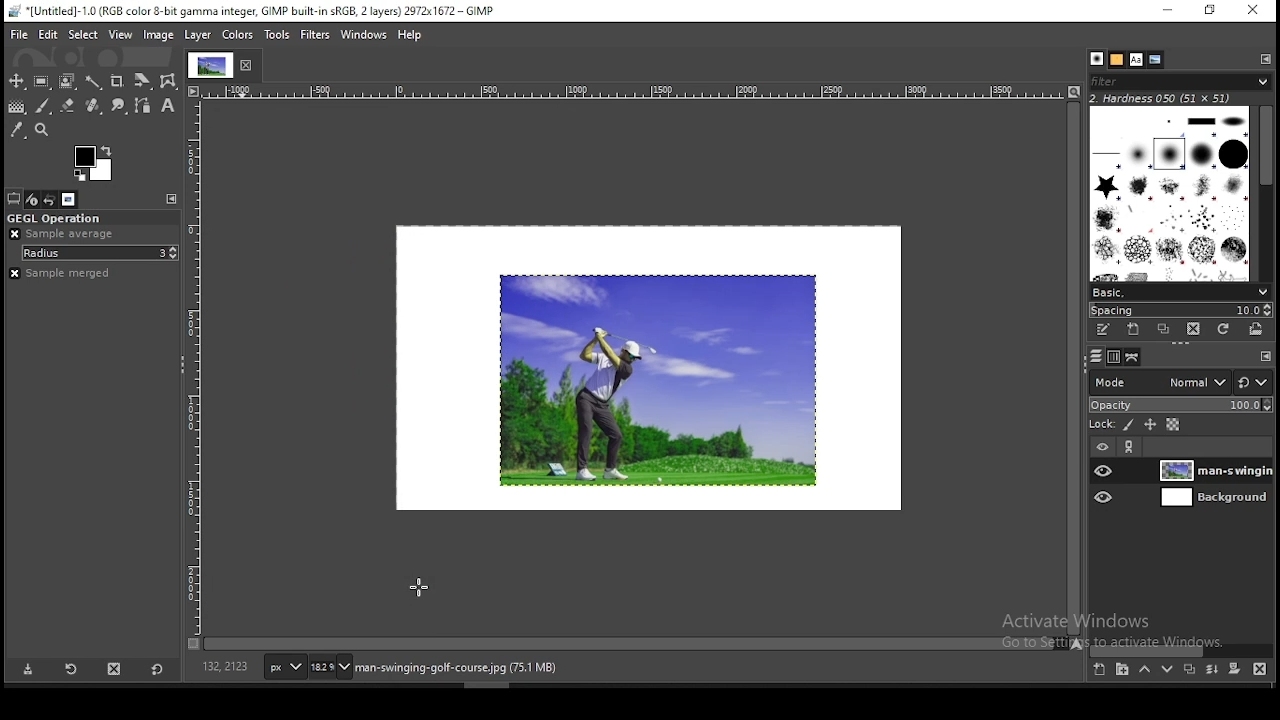  I want to click on view, so click(120, 35).